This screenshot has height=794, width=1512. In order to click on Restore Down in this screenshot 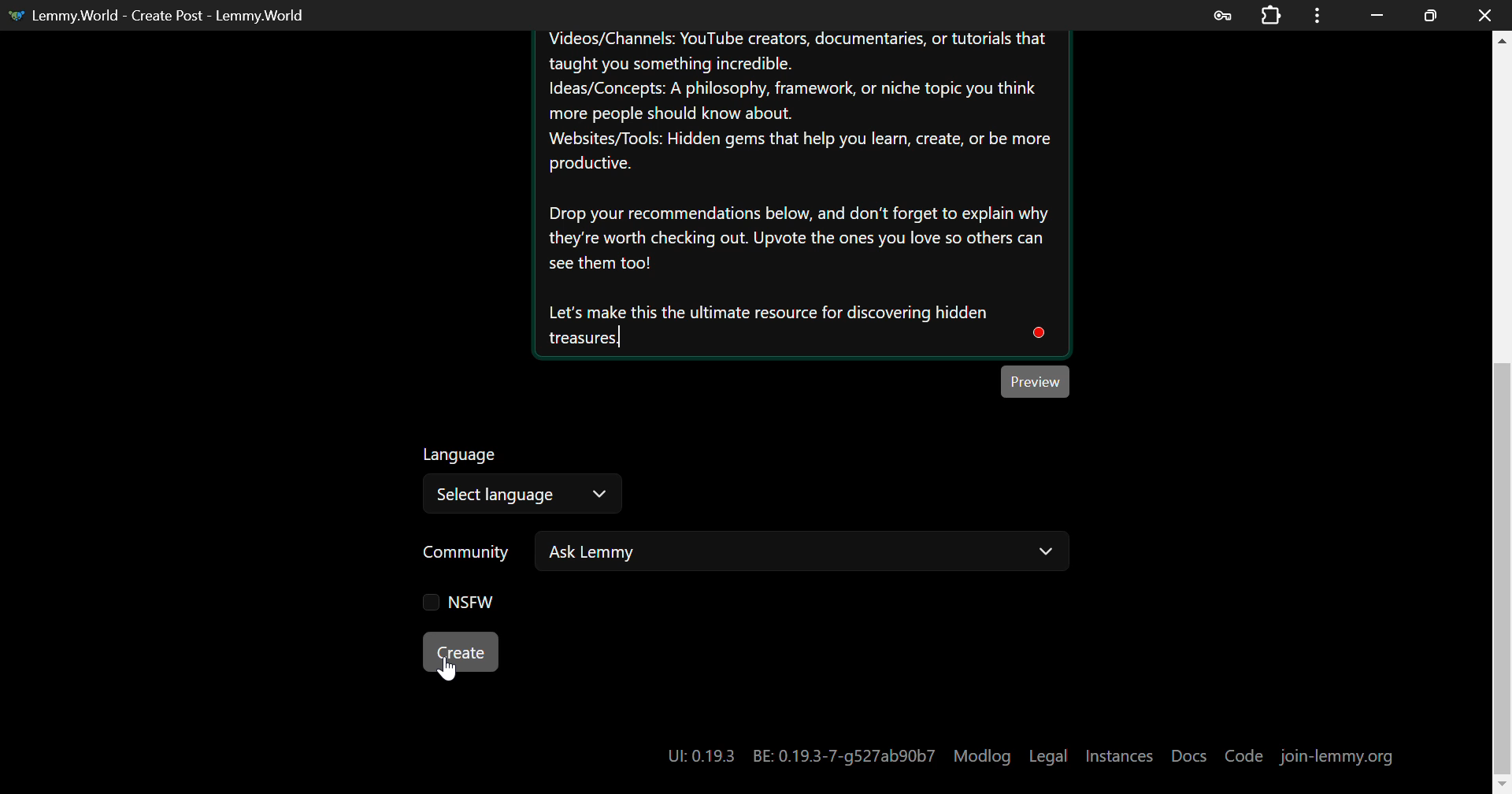, I will do `click(1378, 15)`.